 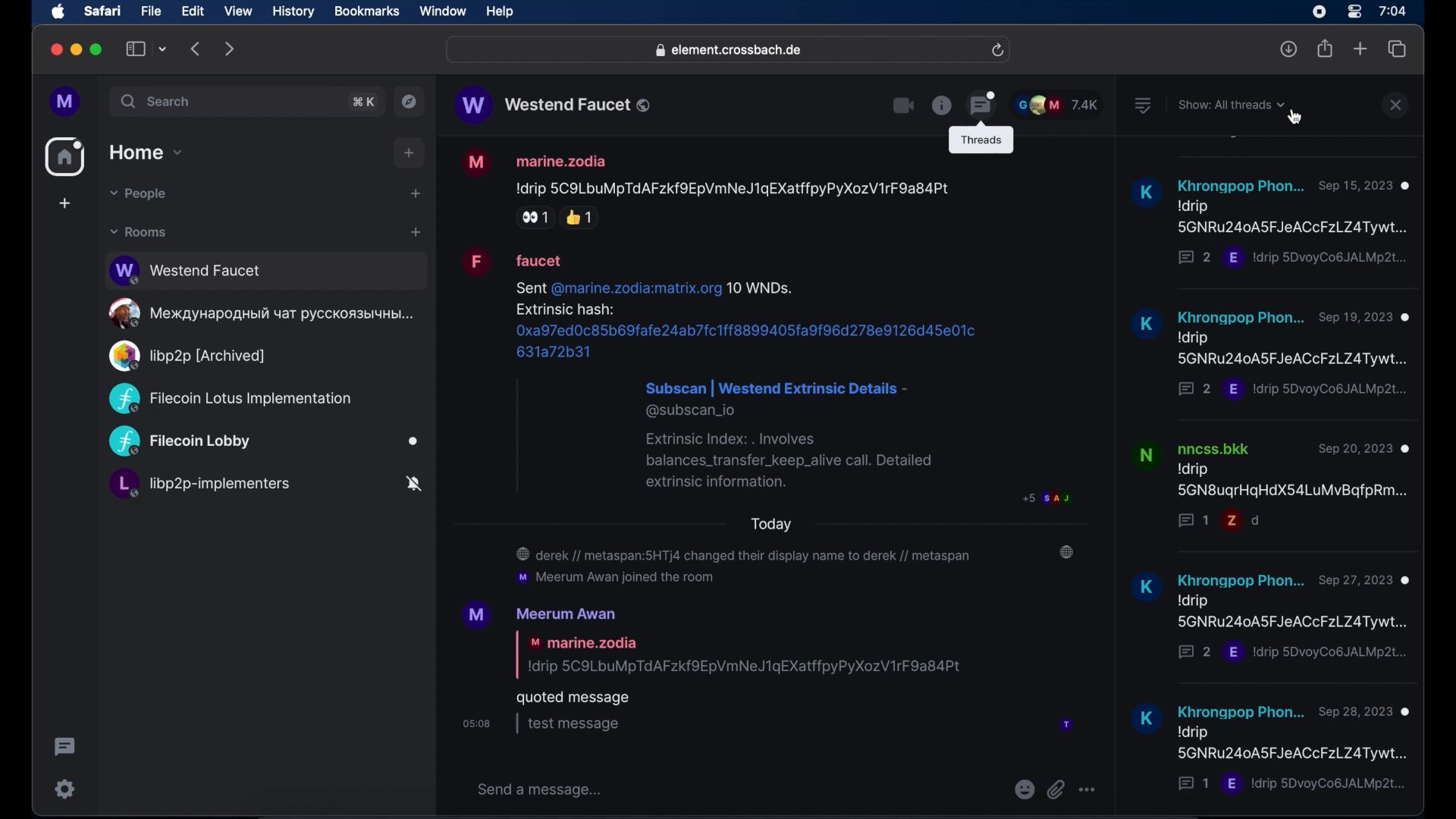 What do you see at coordinates (1055, 556) in the screenshot?
I see `participant` at bounding box center [1055, 556].